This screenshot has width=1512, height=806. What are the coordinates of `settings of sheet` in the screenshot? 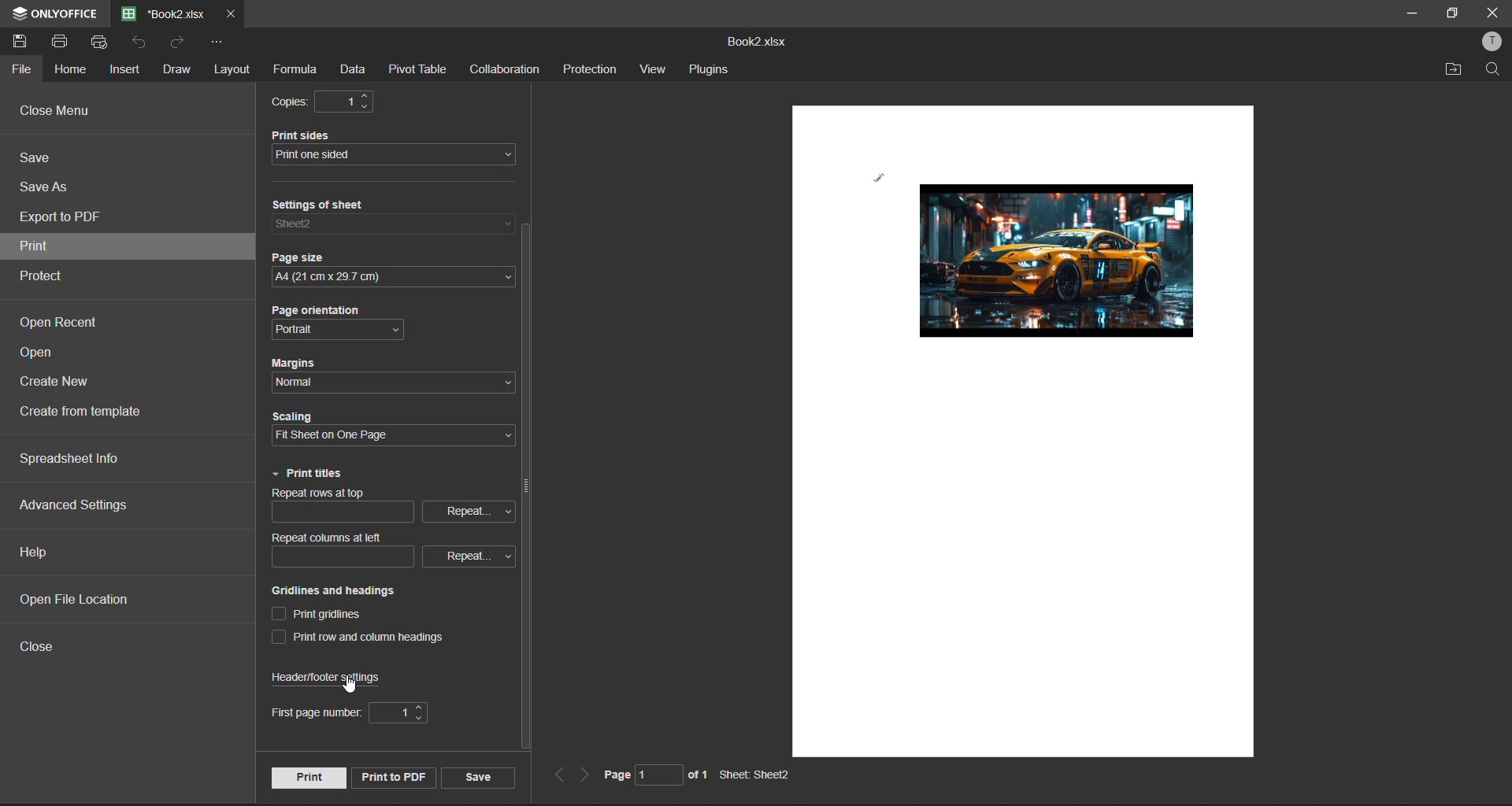 It's located at (386, 220).